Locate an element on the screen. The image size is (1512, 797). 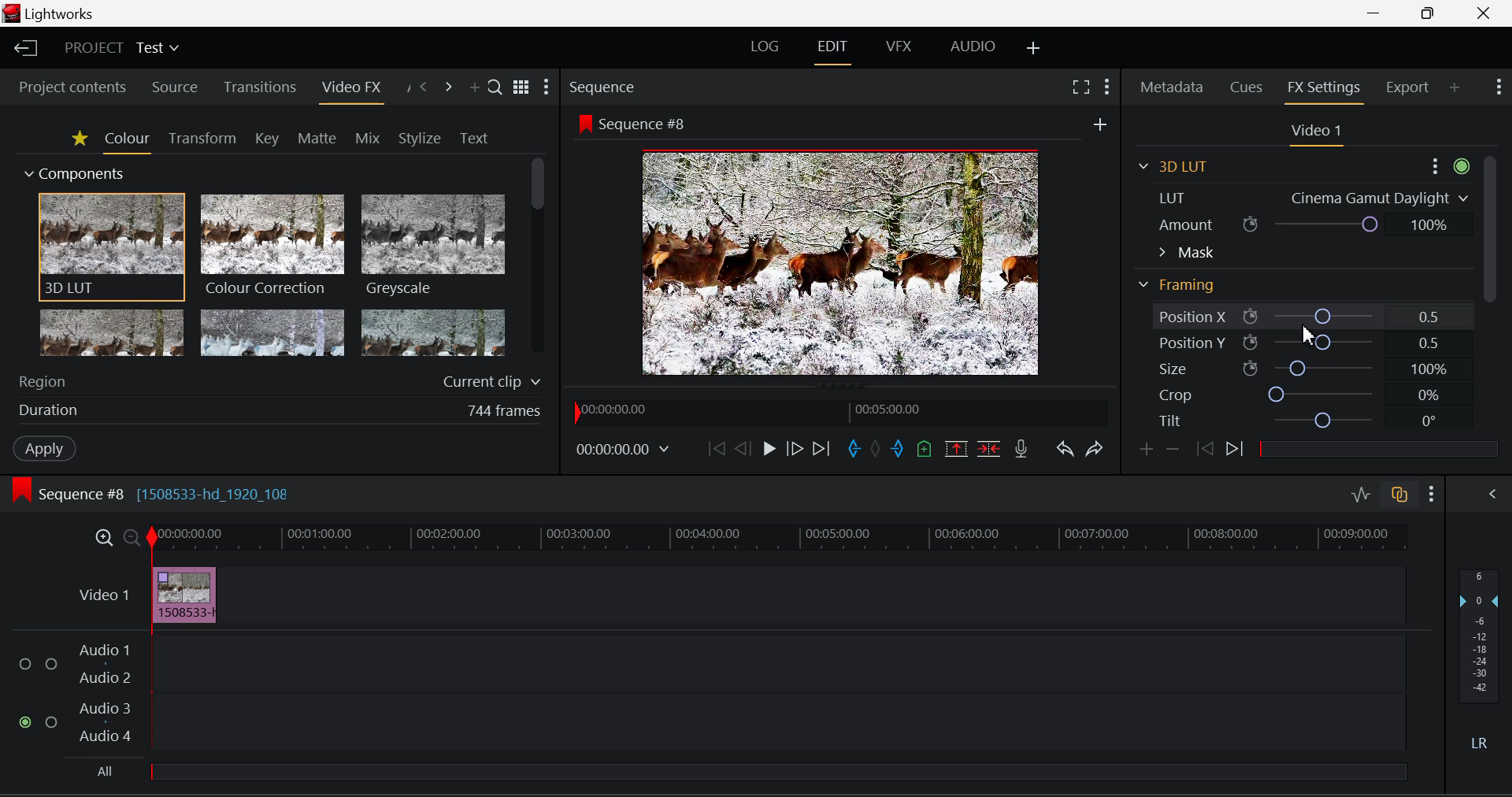
Region is located at coordinates (277, 380).